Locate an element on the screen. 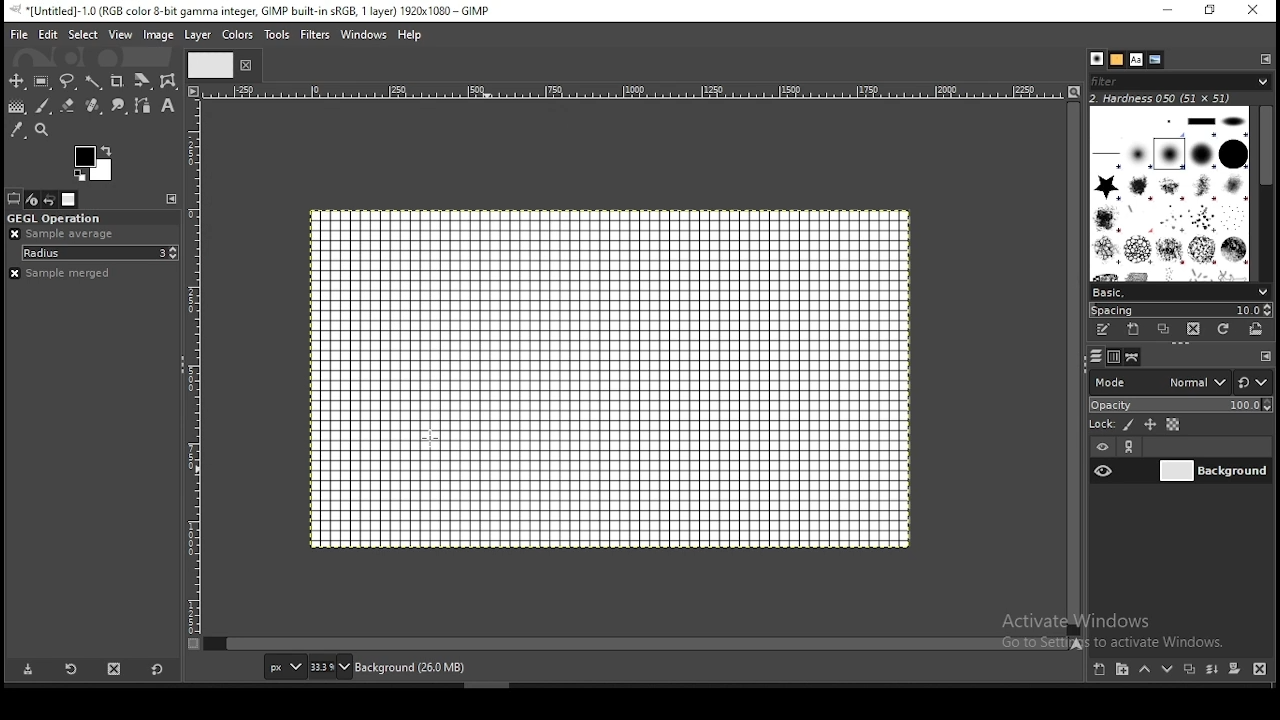 The height and width of the screenshot is (720, 1280). patterns is located at coordinates (1117, 60).